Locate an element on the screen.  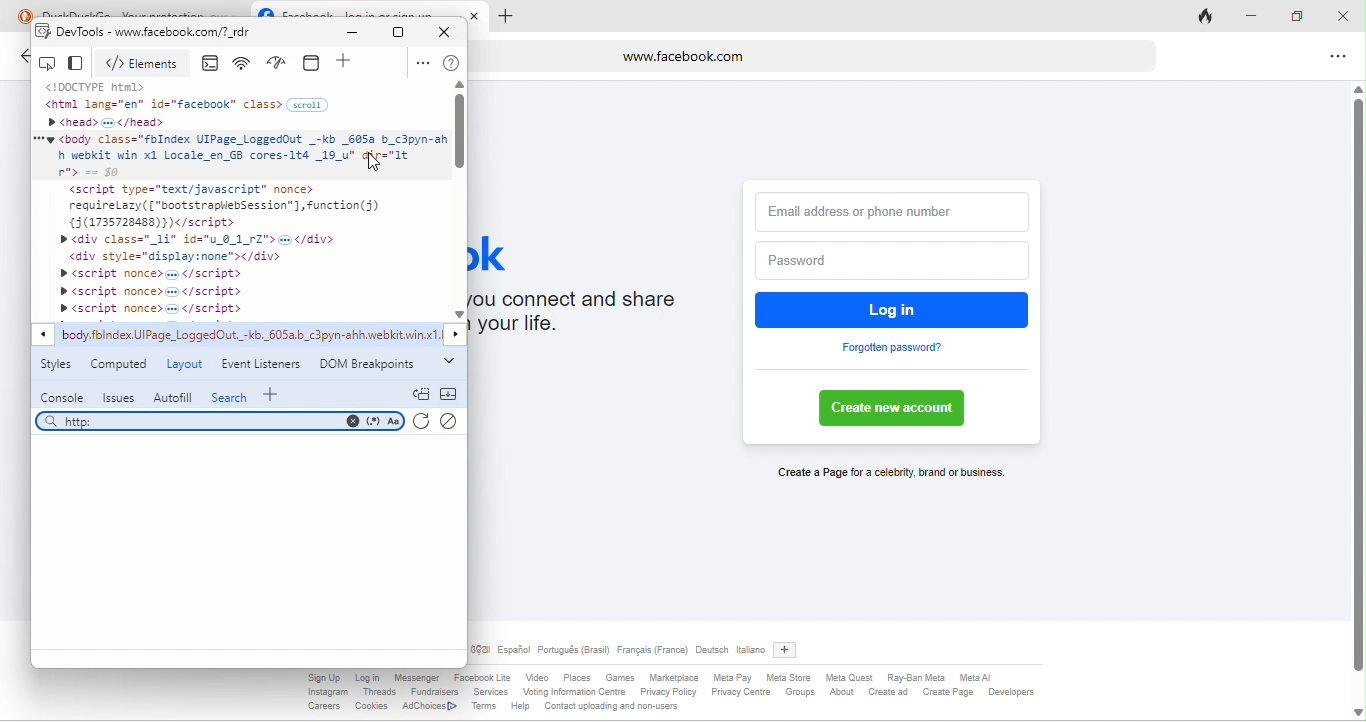
minimize is located at coordinates (357, 33).